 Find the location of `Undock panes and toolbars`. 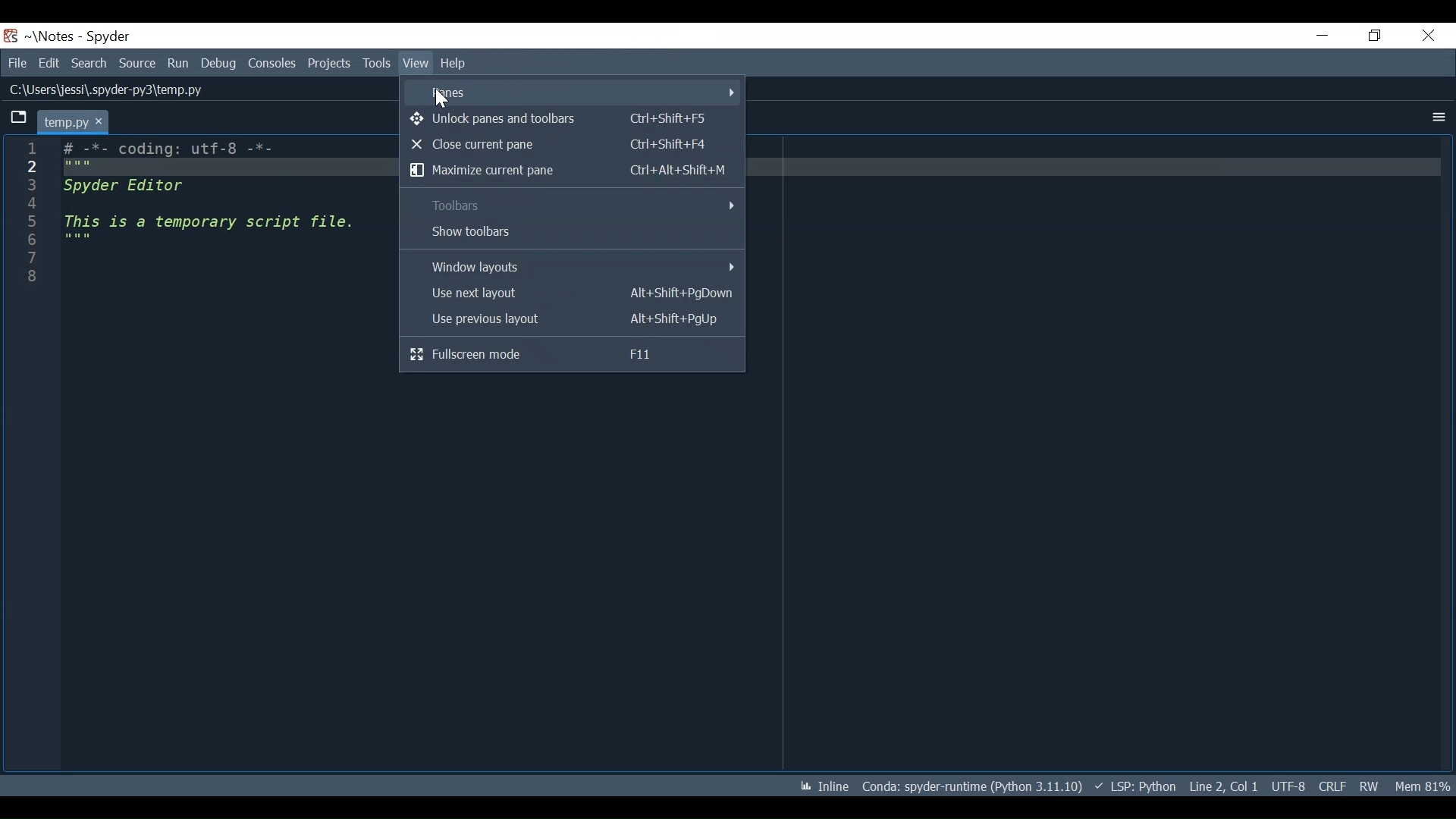

Undock panes and toolbars is located at coordinates (570, 121).